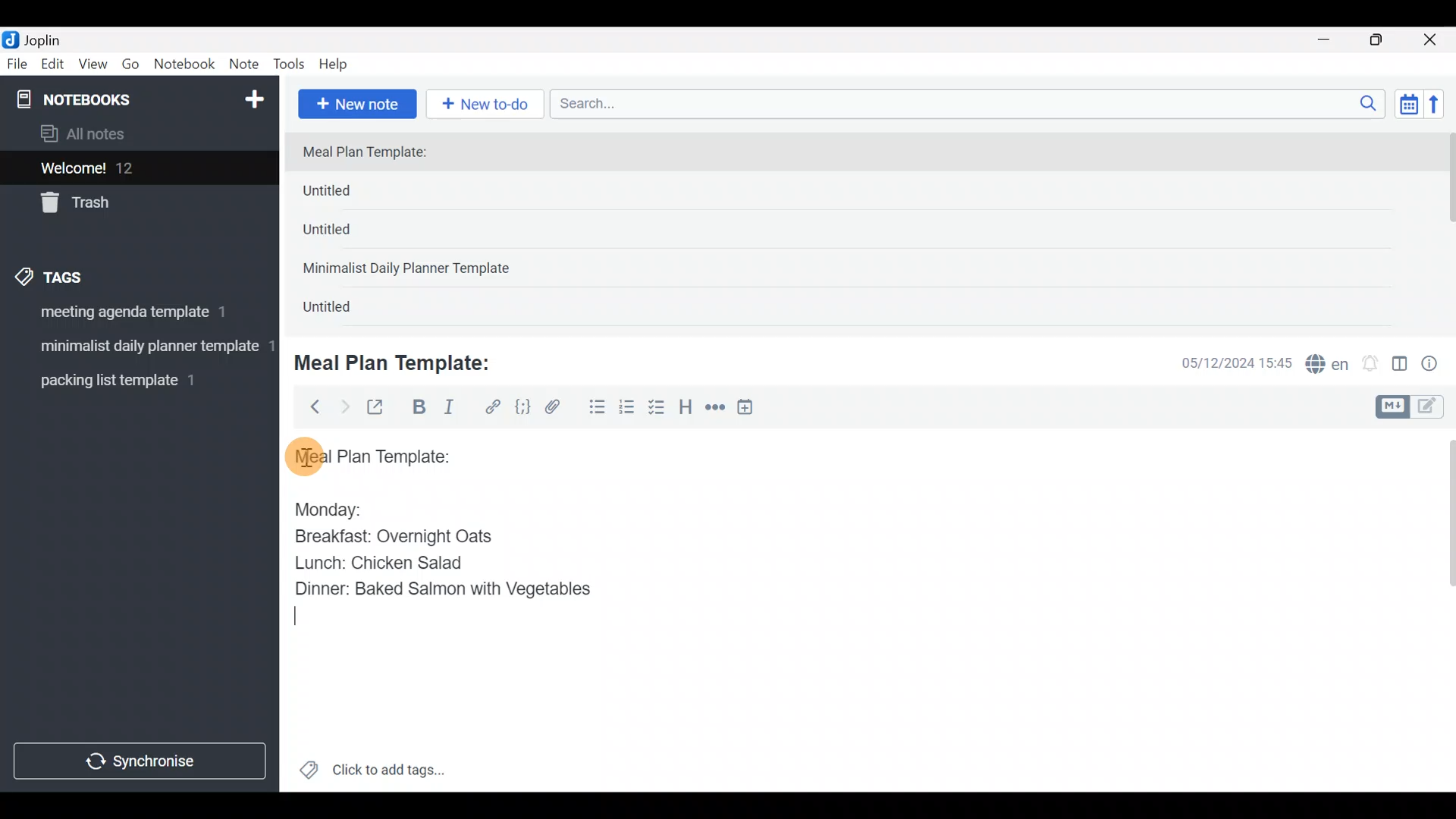 The height and width of the screenshot is (819, 1456). Describe the element at coordinates (715, 409) in the screenshot. I see `Horizontal rule` at that location.